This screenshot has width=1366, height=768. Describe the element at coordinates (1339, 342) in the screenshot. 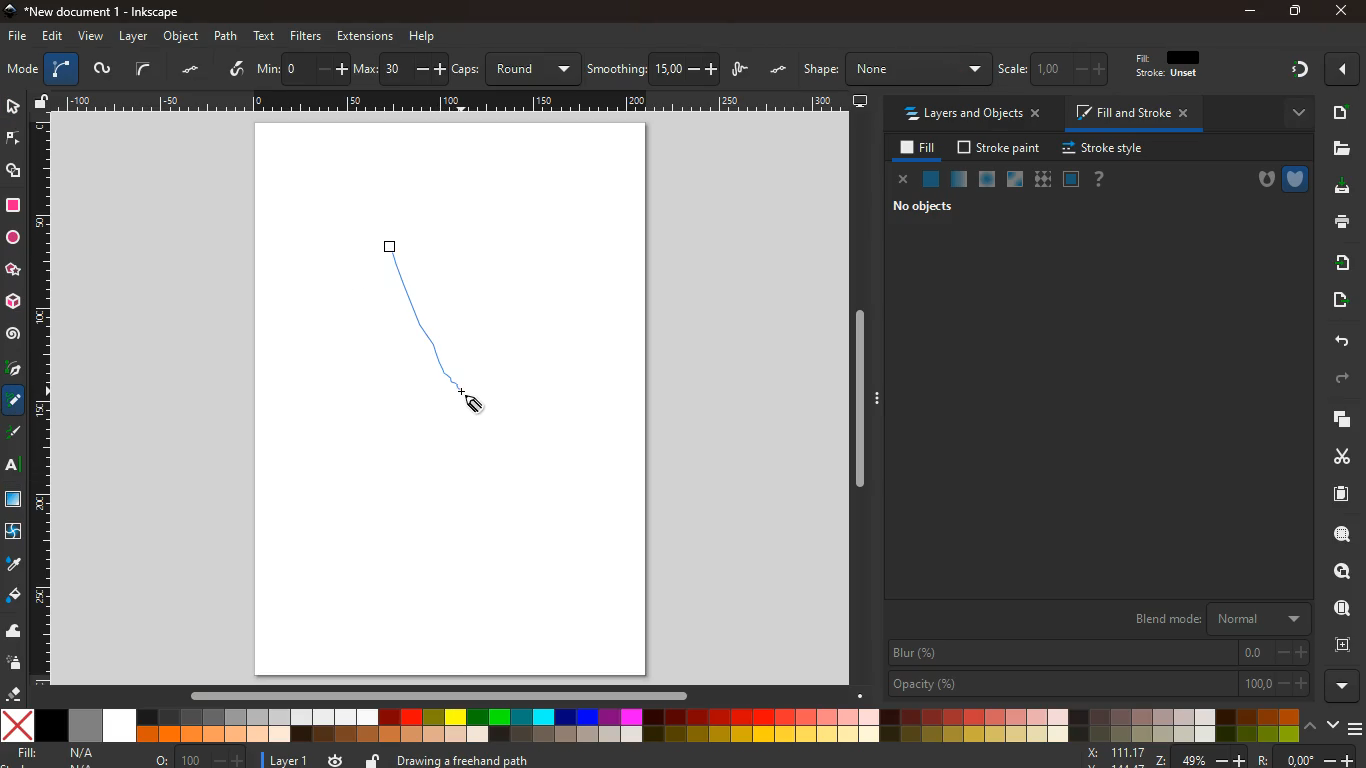

I see `back` at that location.